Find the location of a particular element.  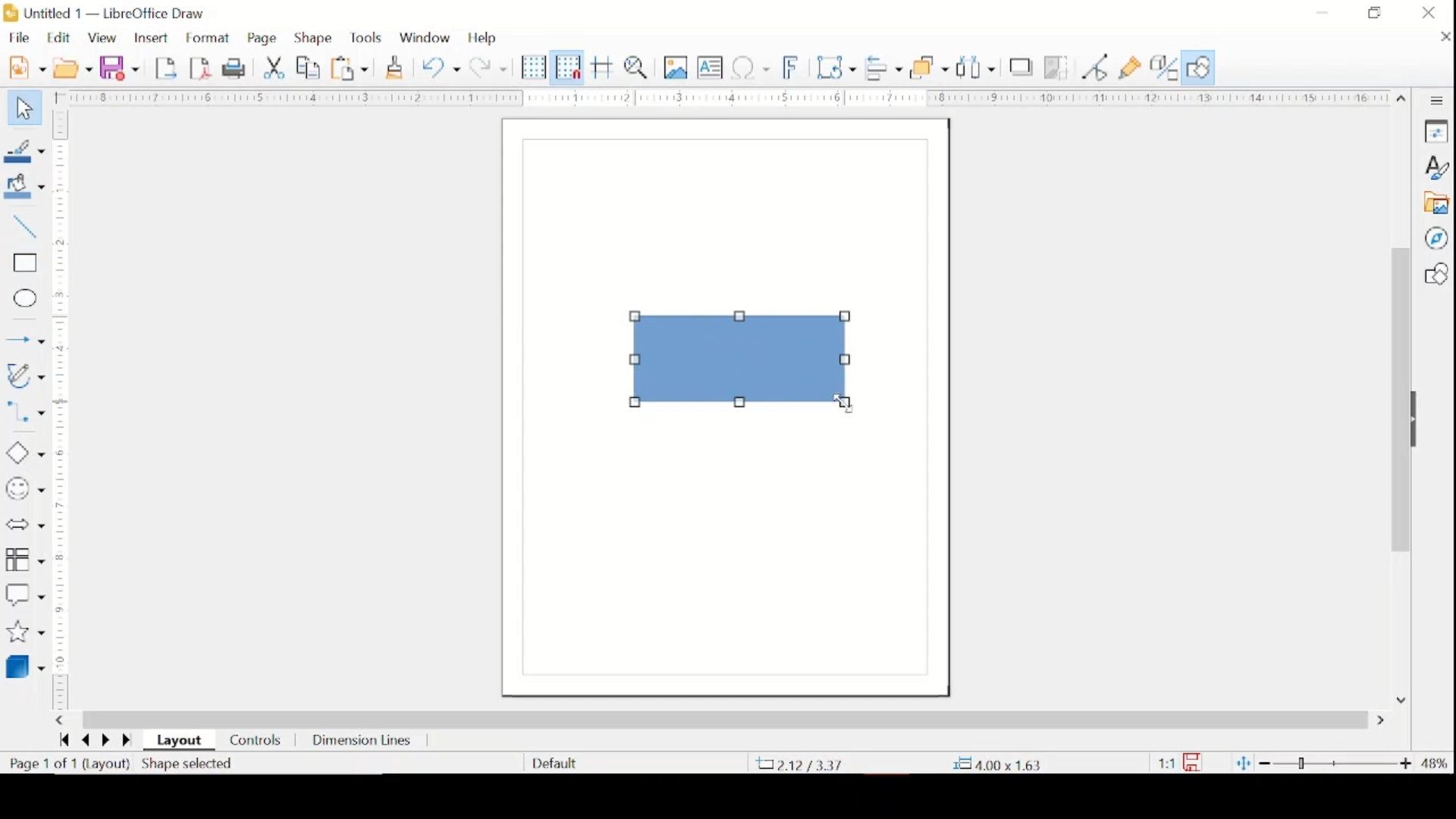

resize handle is located at coordinates (848, 359).